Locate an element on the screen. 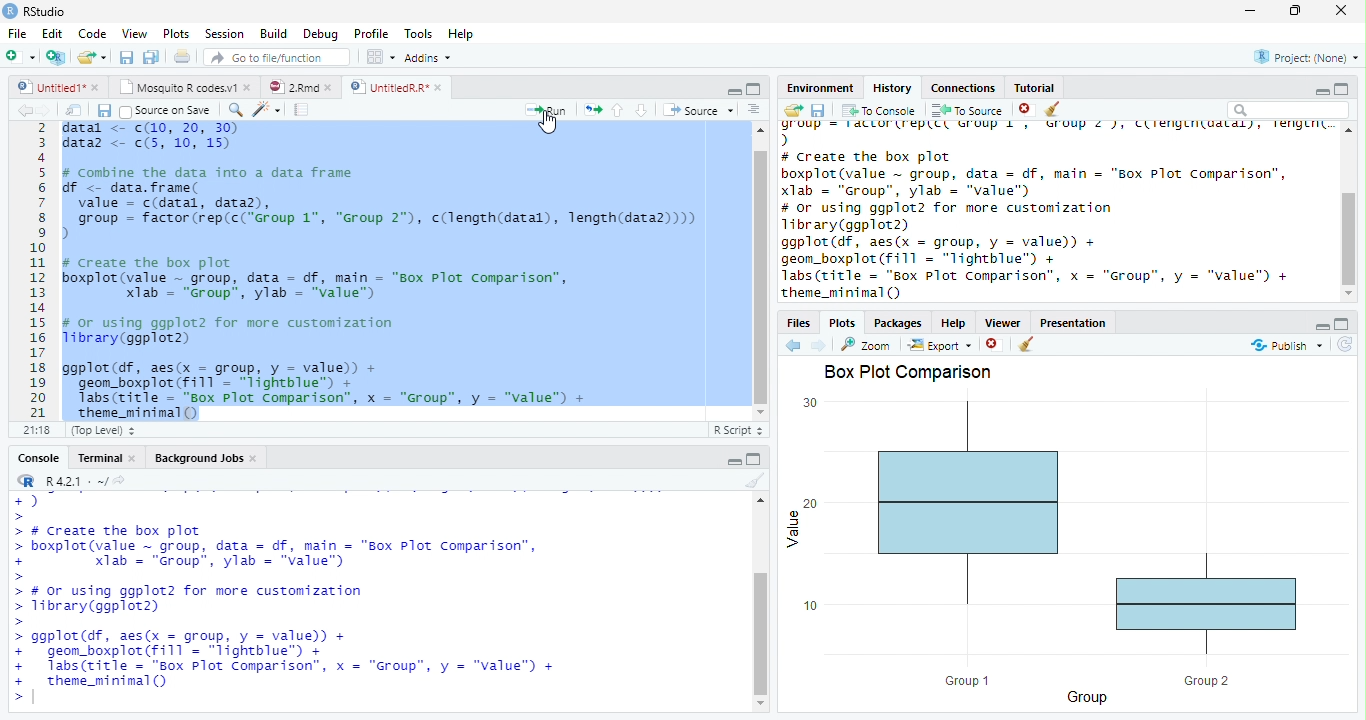 The width and height of the screenshot is (1366, 720). Create a project is located at coordinates (57, 56).